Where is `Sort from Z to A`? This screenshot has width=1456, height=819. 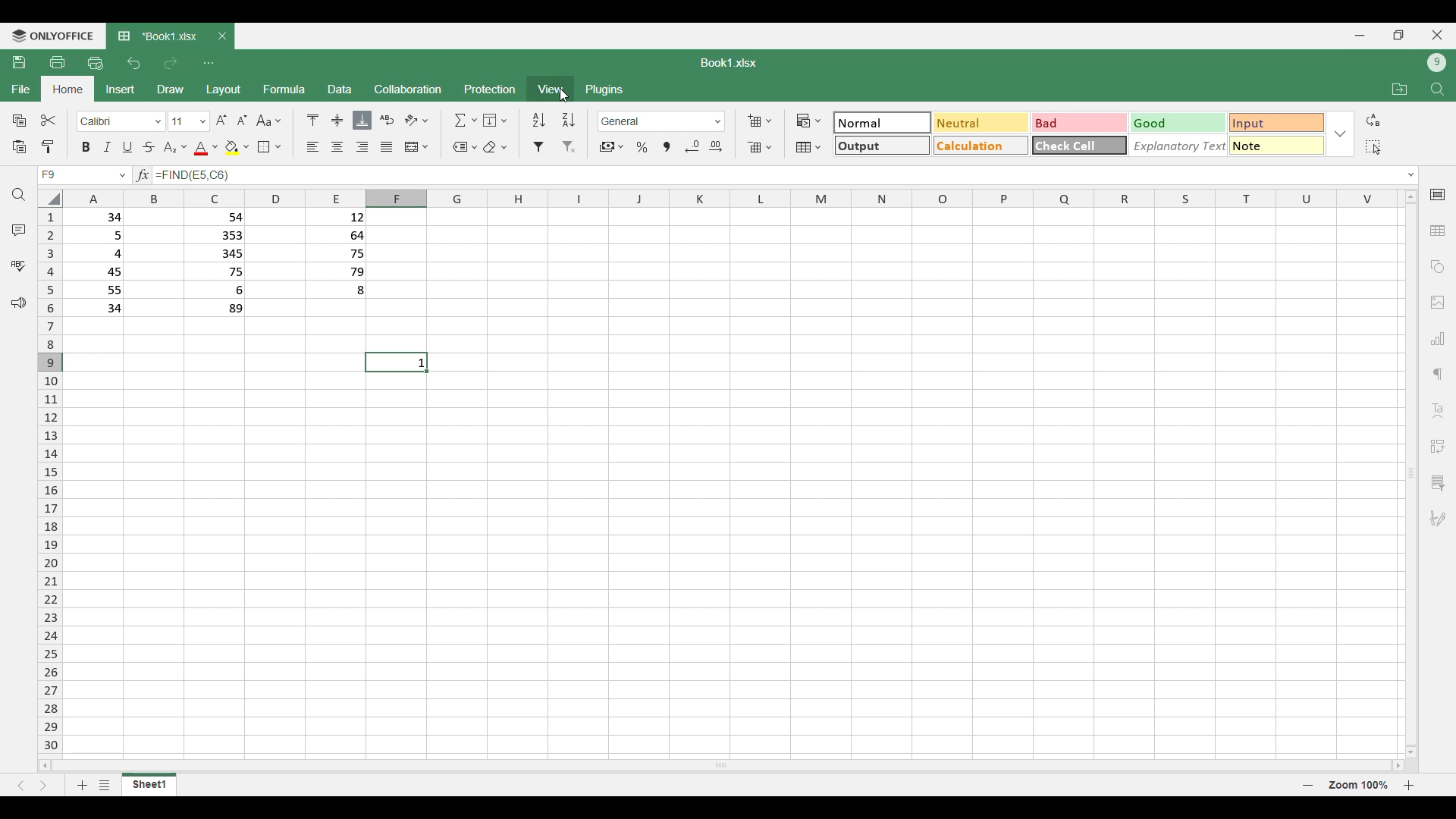 Sort from Z to A is located at coordinates (567, 119).